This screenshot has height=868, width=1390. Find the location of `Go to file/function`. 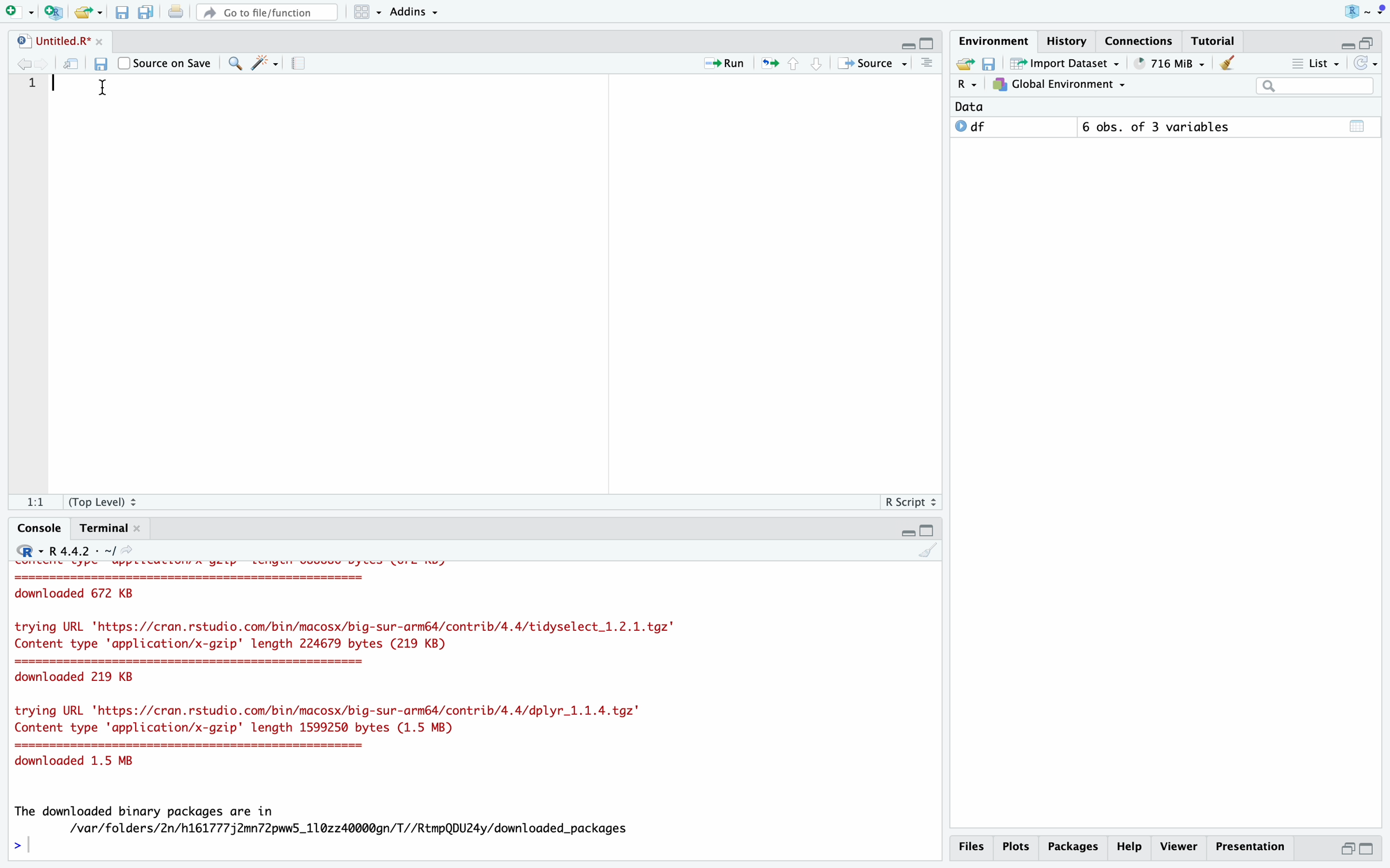

Go to file/function is located at coordinates (265, 13).